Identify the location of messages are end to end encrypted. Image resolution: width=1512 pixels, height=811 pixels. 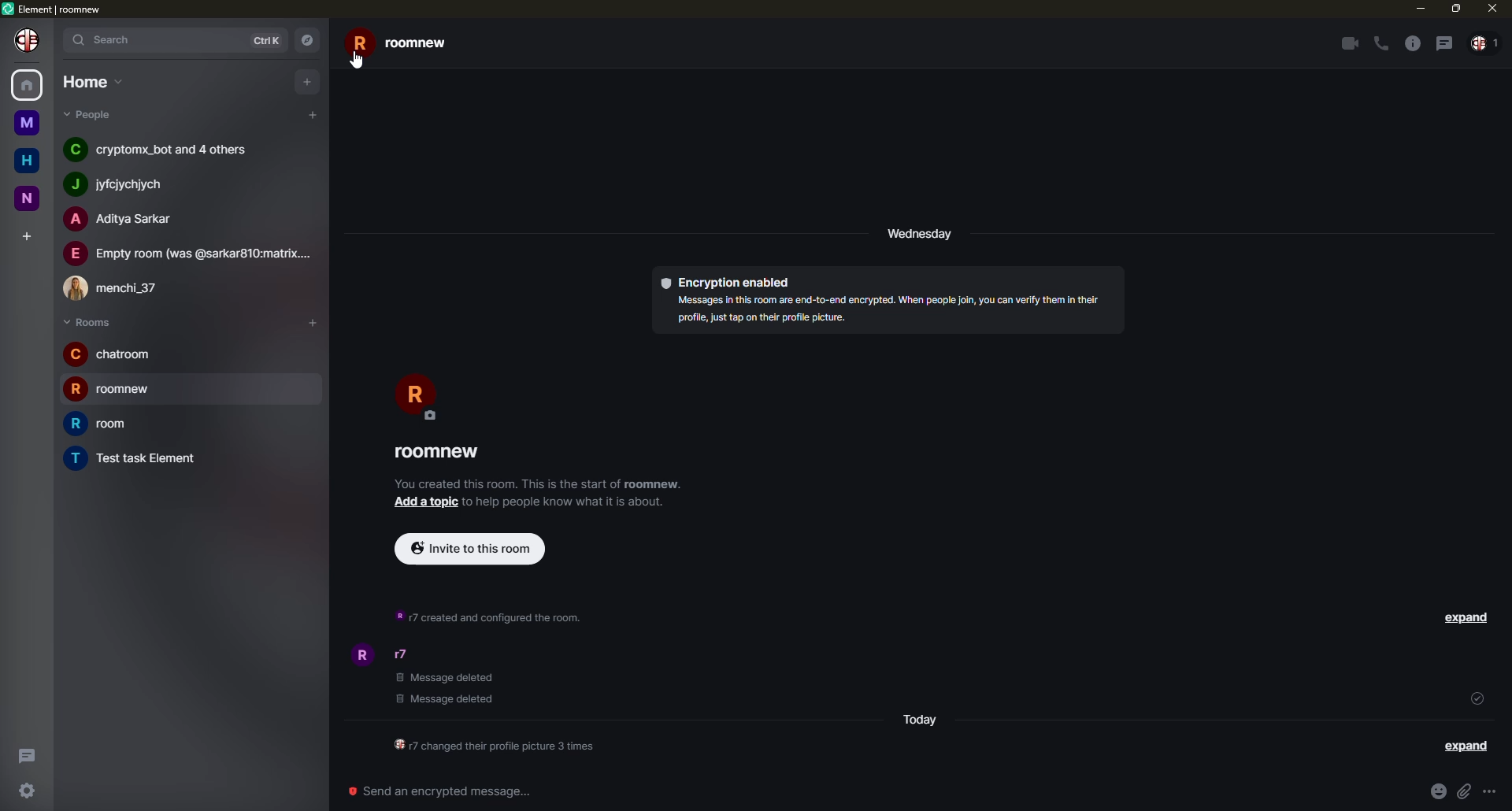
(884, 310).